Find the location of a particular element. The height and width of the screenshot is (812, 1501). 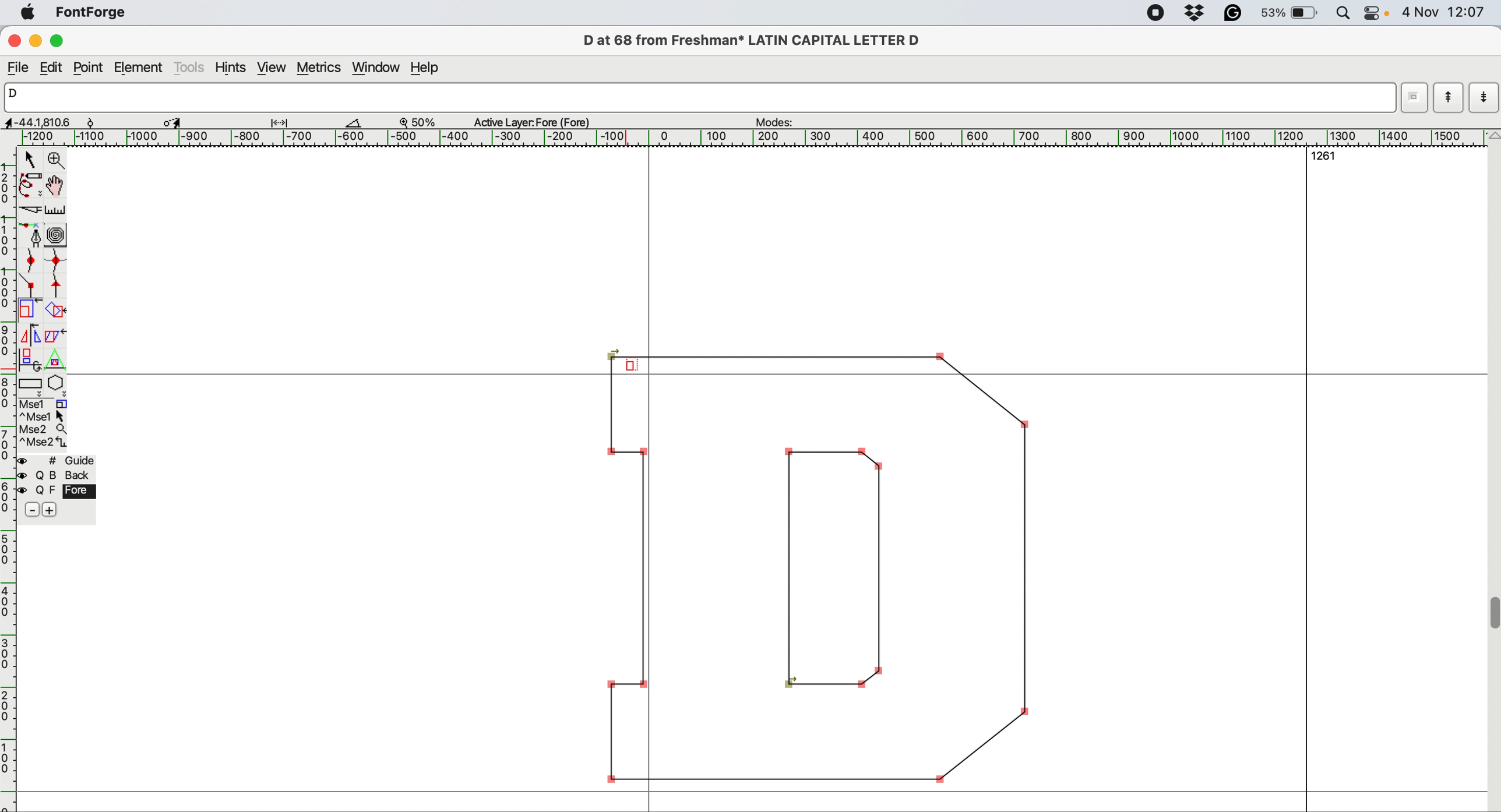

perform a perspective transformation on the selection is located at coordinates (54, 360).